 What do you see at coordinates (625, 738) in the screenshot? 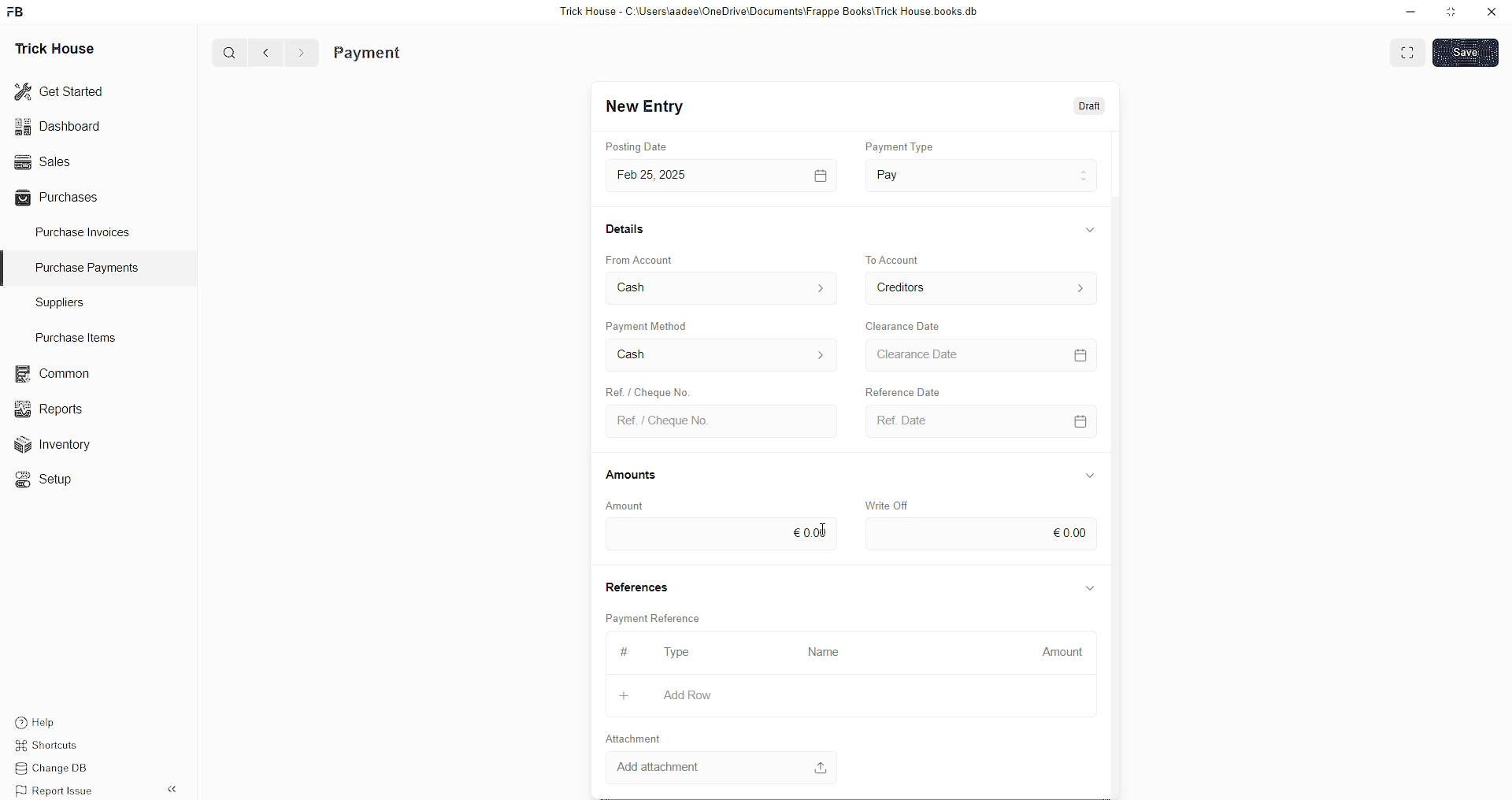
I see `Attachment` at bounding box center [625, 738].